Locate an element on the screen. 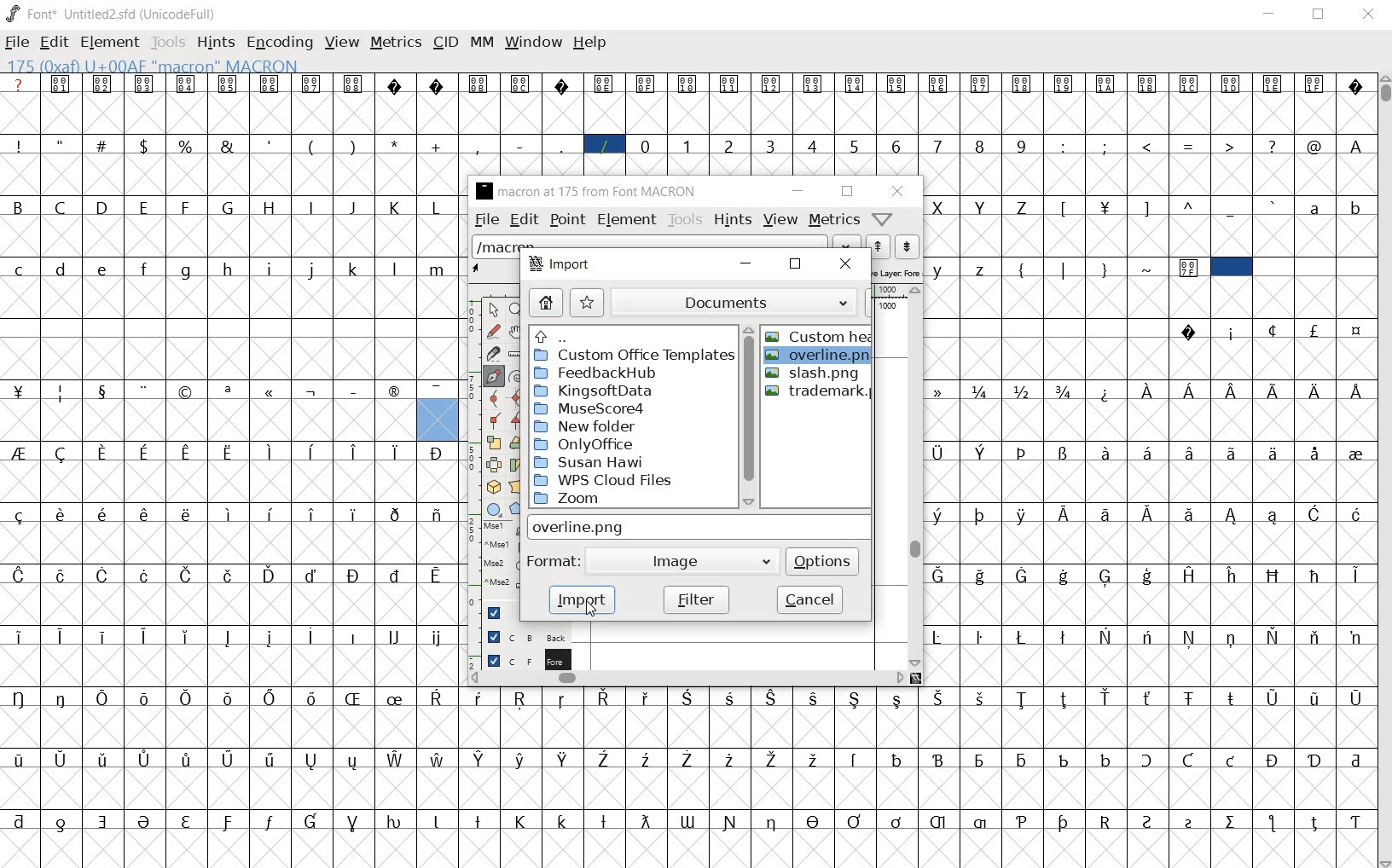 Image resolution: width=1392 pixels, height=868 pixels. Symbol is located at coordinates (272, 514).